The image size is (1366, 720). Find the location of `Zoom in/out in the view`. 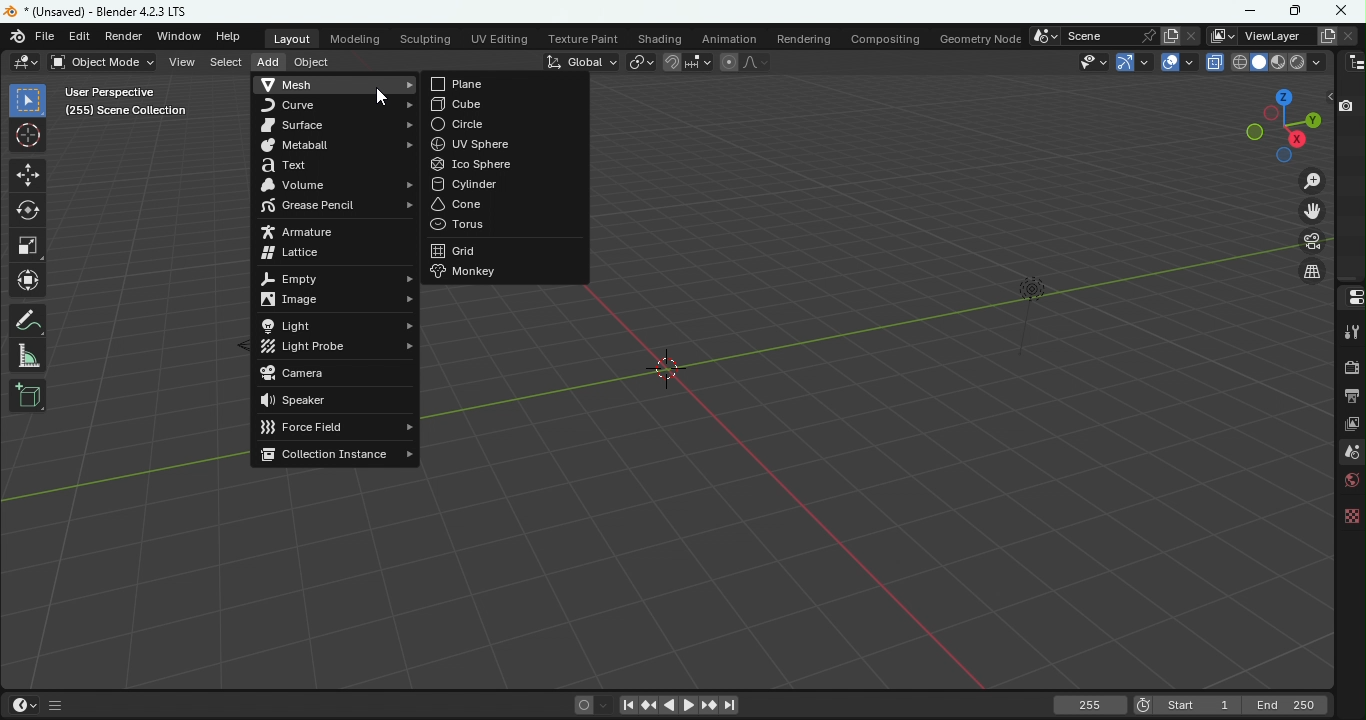

Zoom in/out in the view is located at coordinates (1314, 180).